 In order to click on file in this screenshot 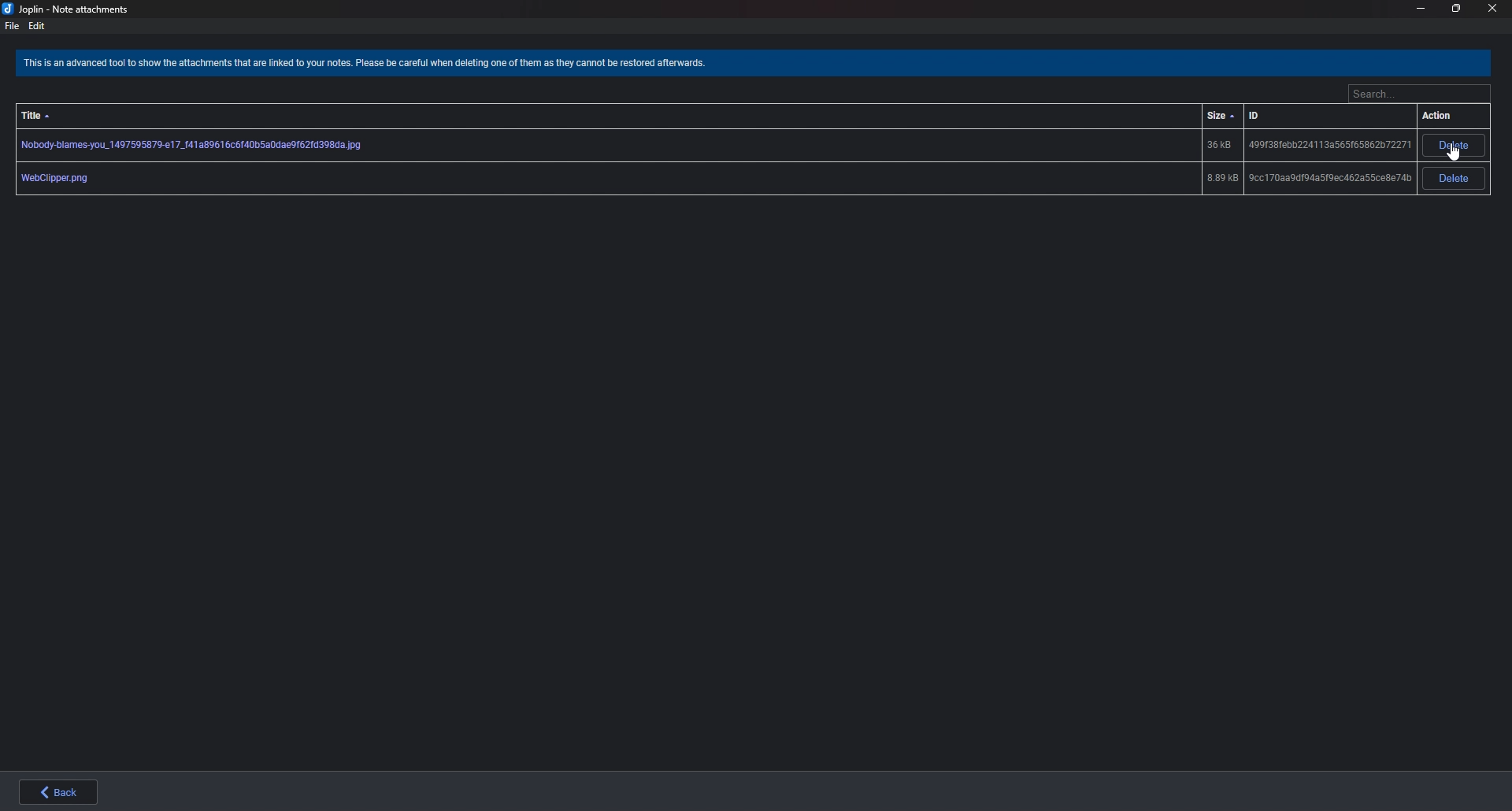, I will do `click(13, 25)`.